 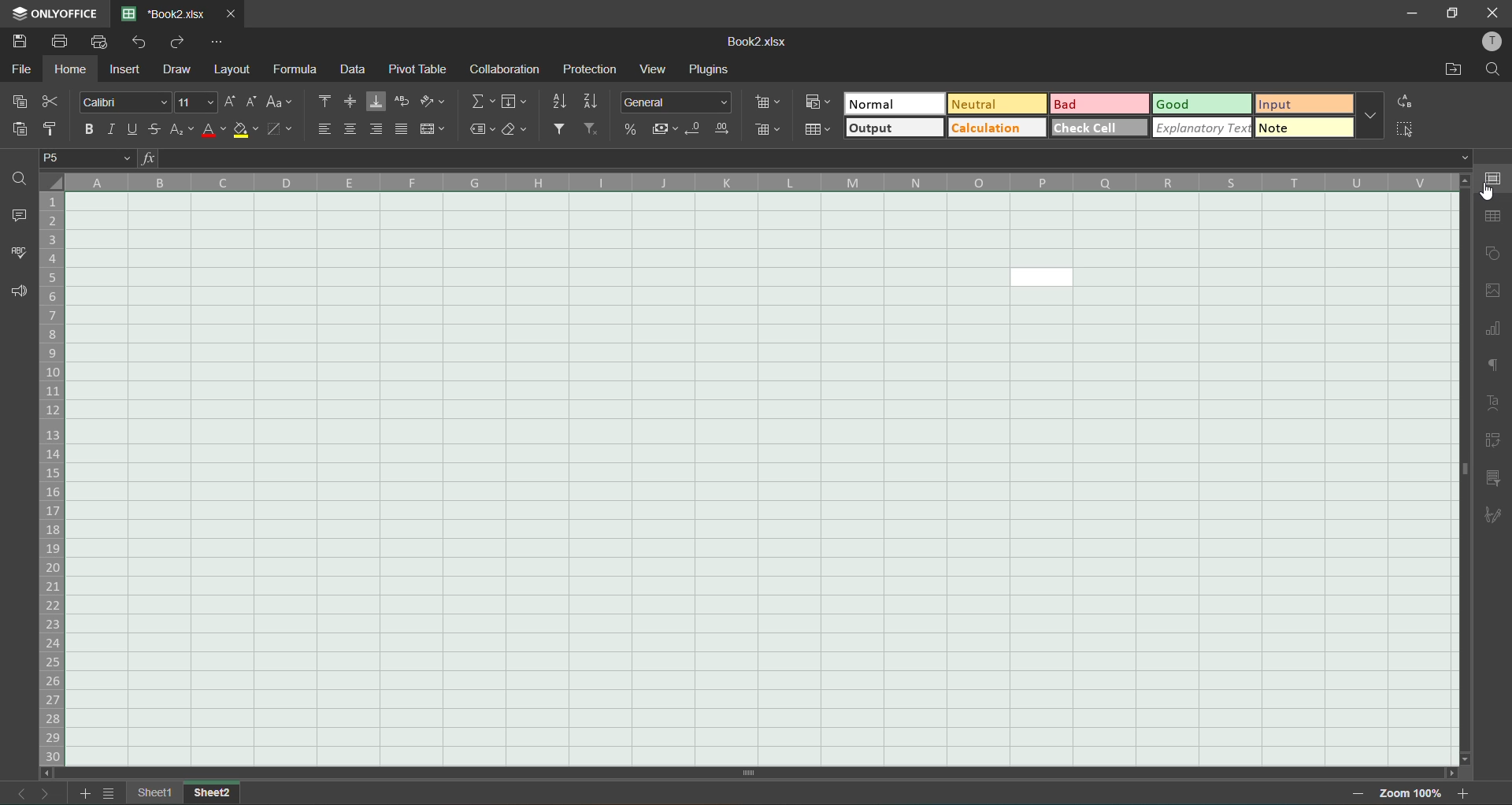 What do you see at coordinates (1462, 402) in the screenshot?
I see `scroll bar` at bounding box center [1462, 402].